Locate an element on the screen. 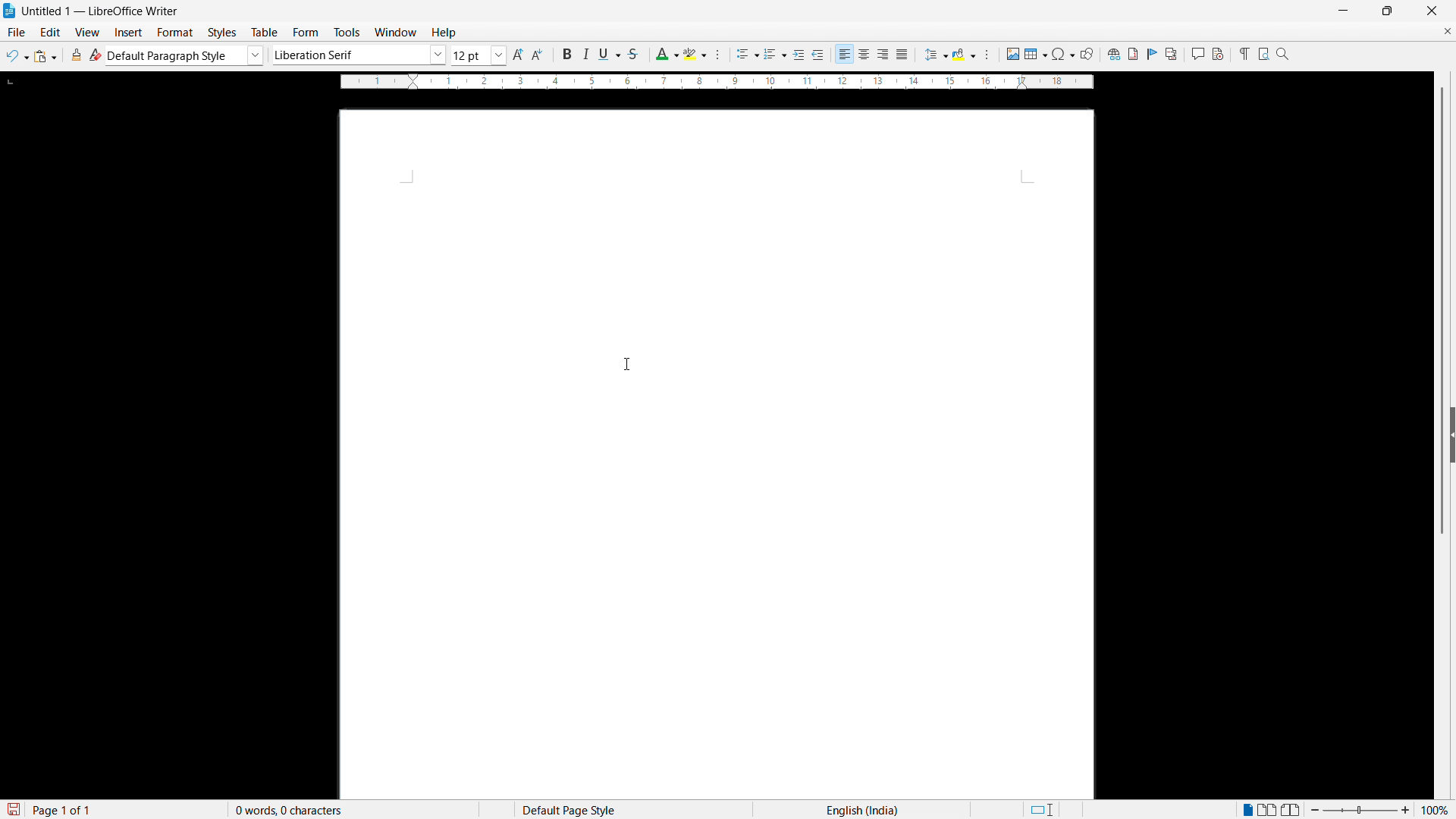   Cursor  is located at coordinates (629, 366).